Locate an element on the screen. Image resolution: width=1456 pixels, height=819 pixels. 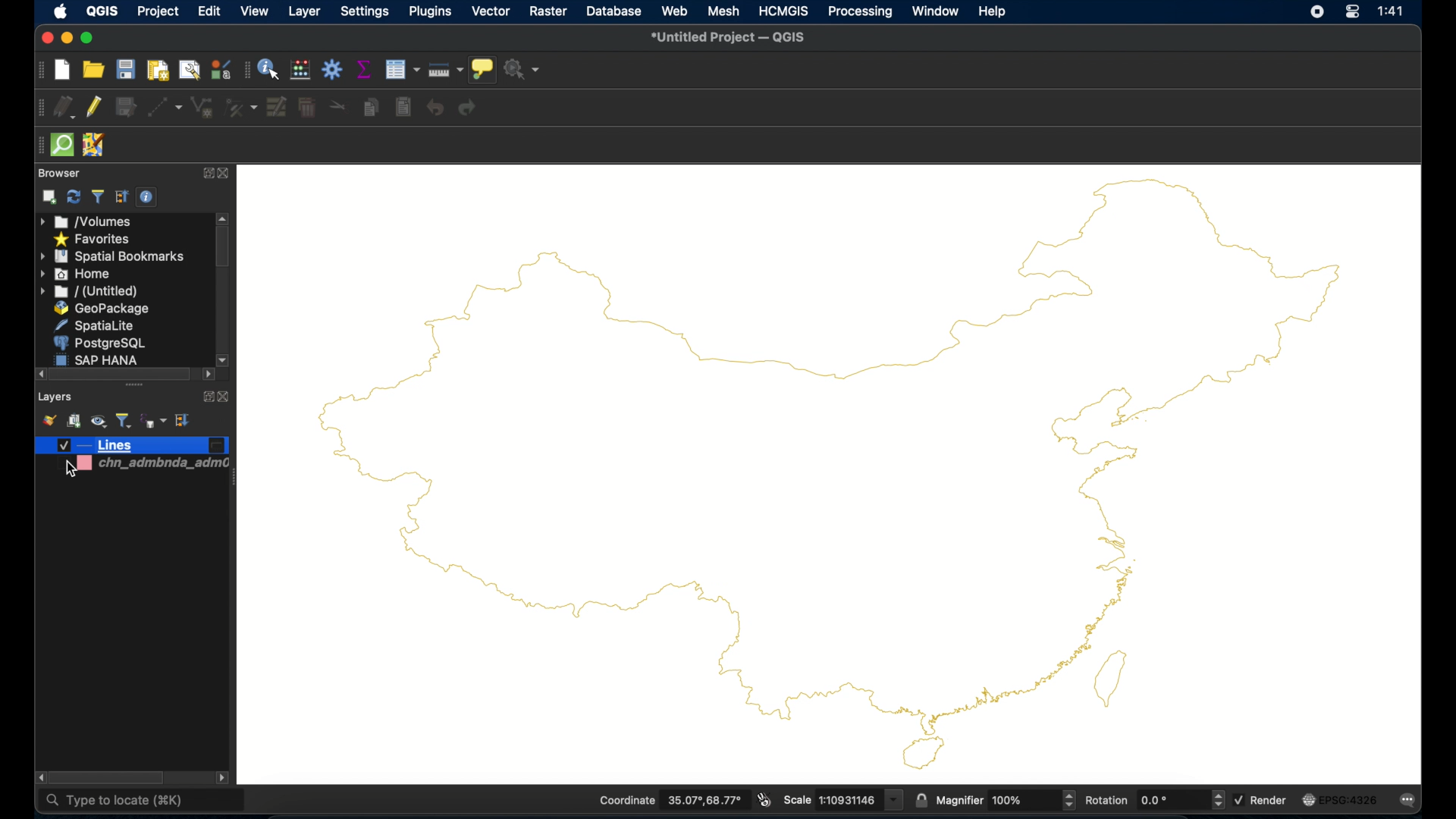
home is located at coordinates (75, 274).